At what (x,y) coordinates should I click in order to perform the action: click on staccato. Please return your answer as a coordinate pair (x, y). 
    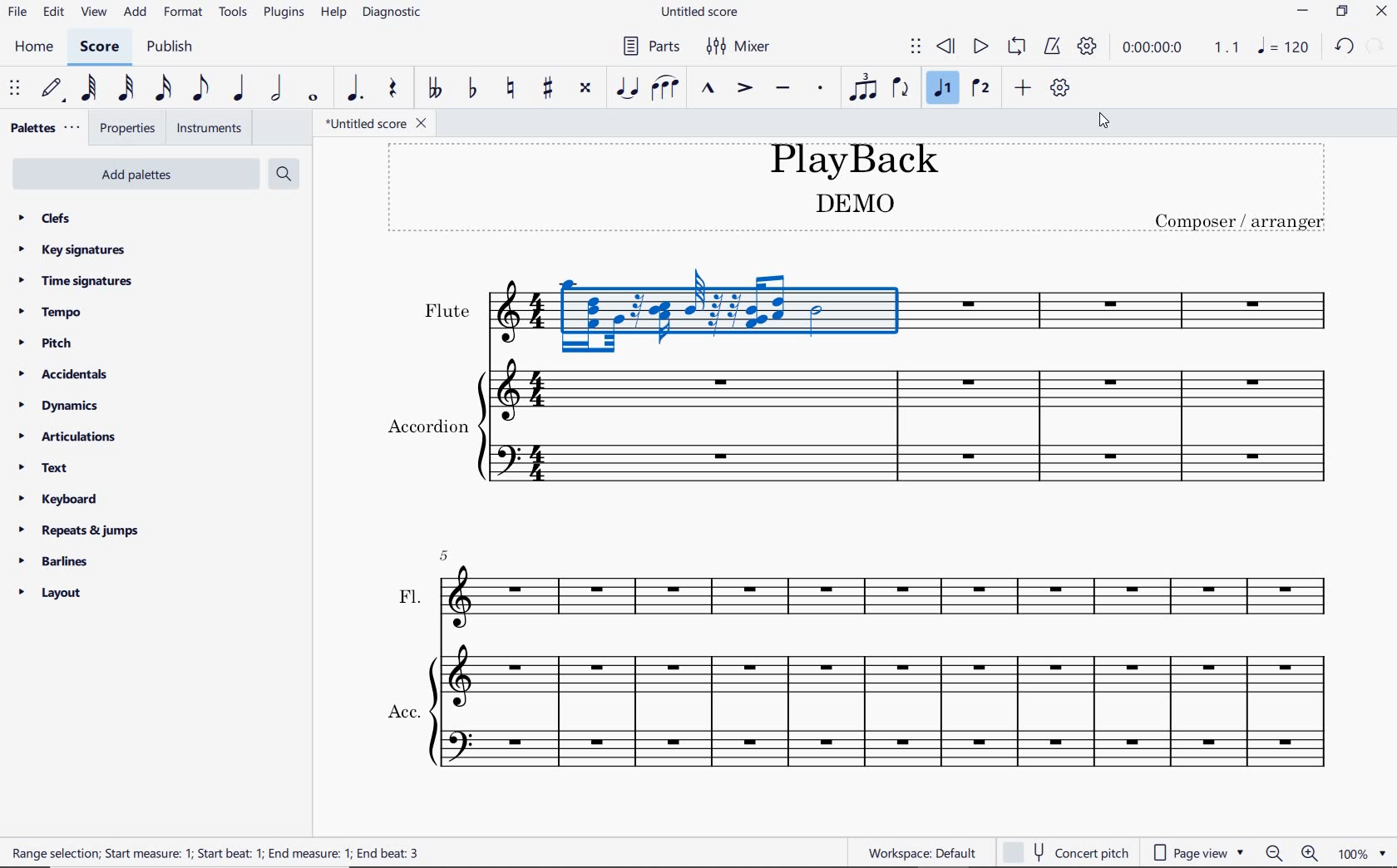
    Looking at the image, I should click on (821, 87).